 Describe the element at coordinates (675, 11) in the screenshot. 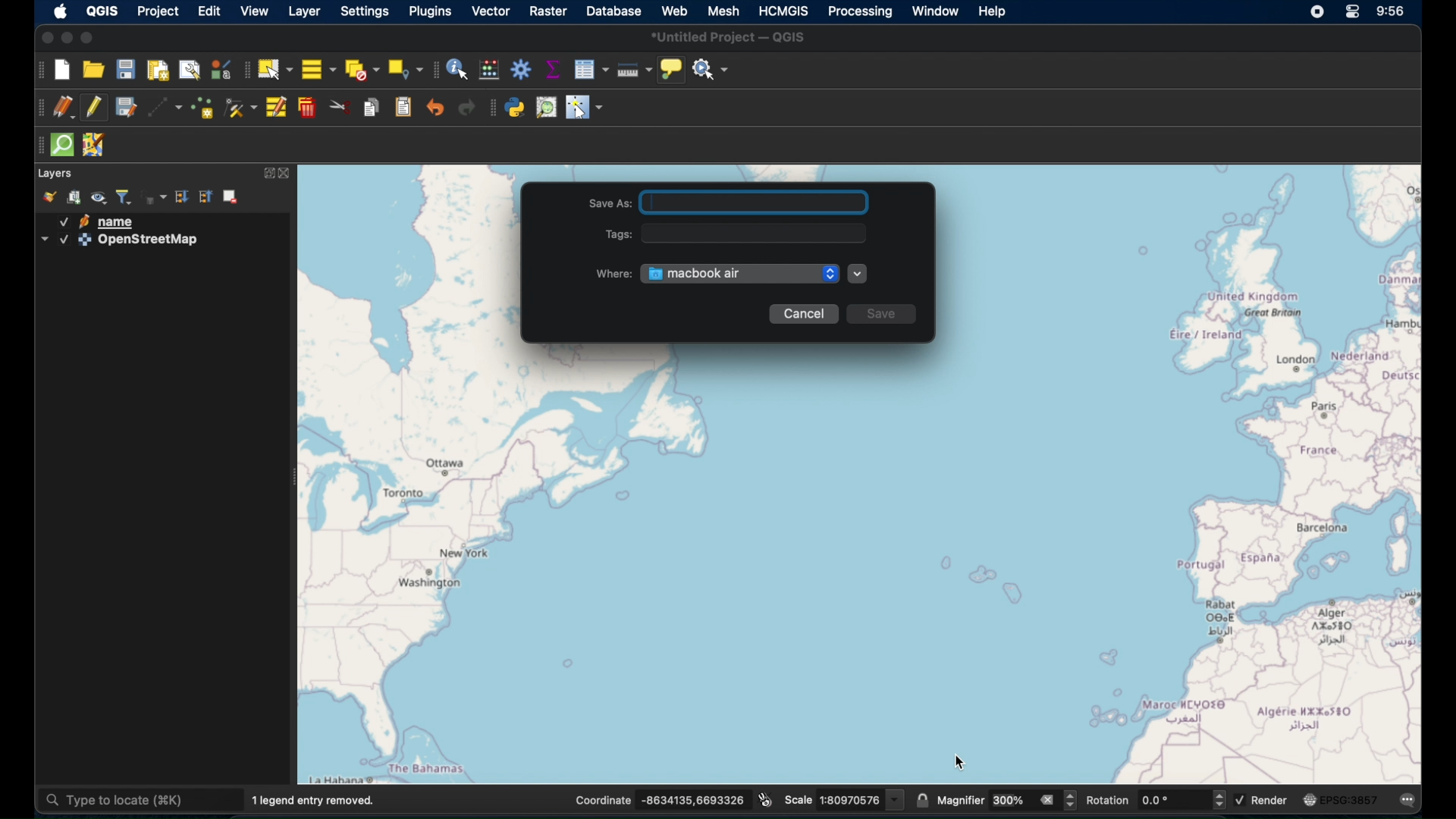

I see `web` at that location.